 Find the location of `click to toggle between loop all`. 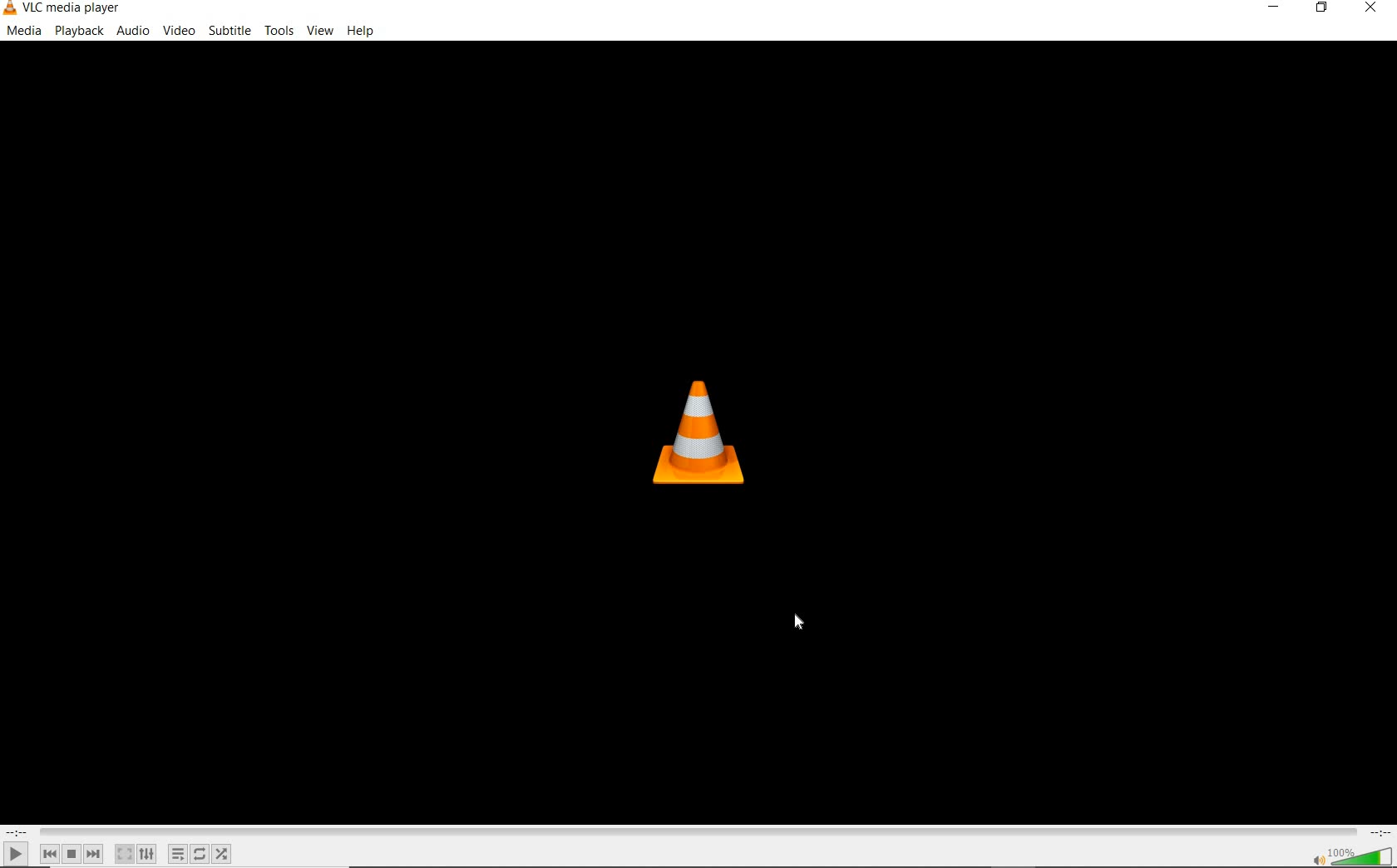

click to toggle between loop all is located at coordinates (200, 853).